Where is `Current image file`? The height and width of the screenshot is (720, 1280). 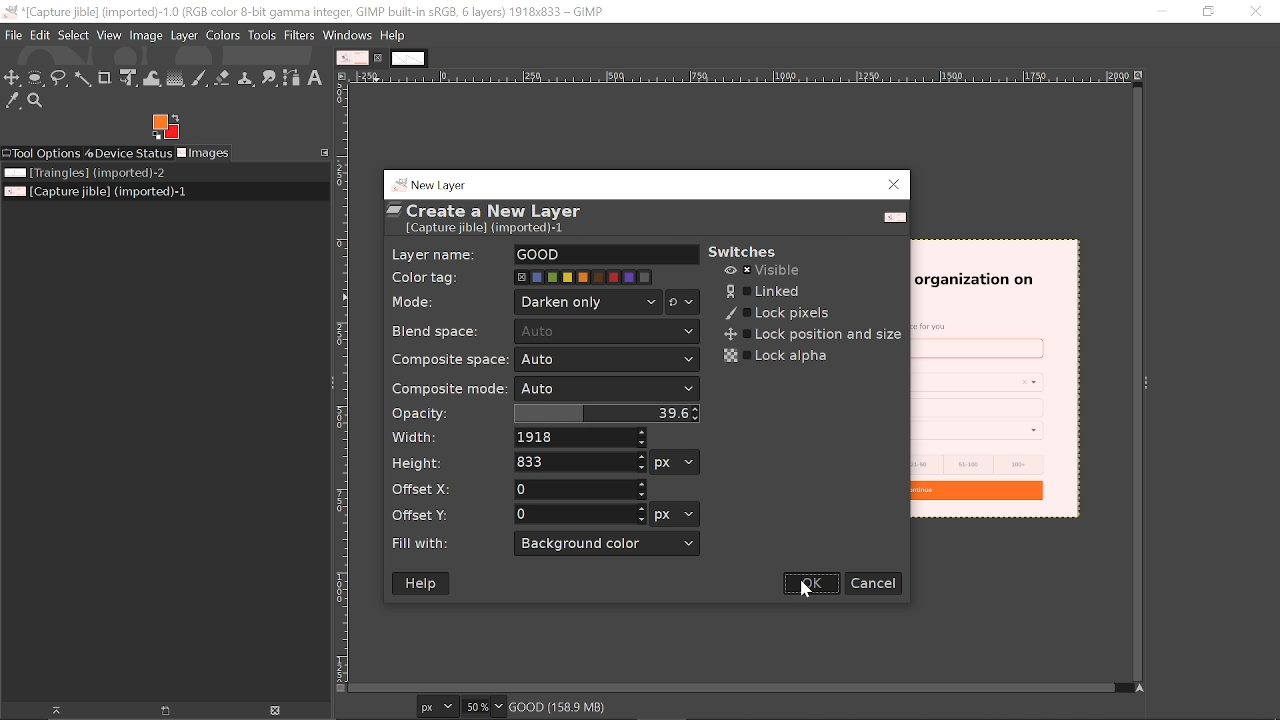
Current image file is located at coordinates (94, 192).